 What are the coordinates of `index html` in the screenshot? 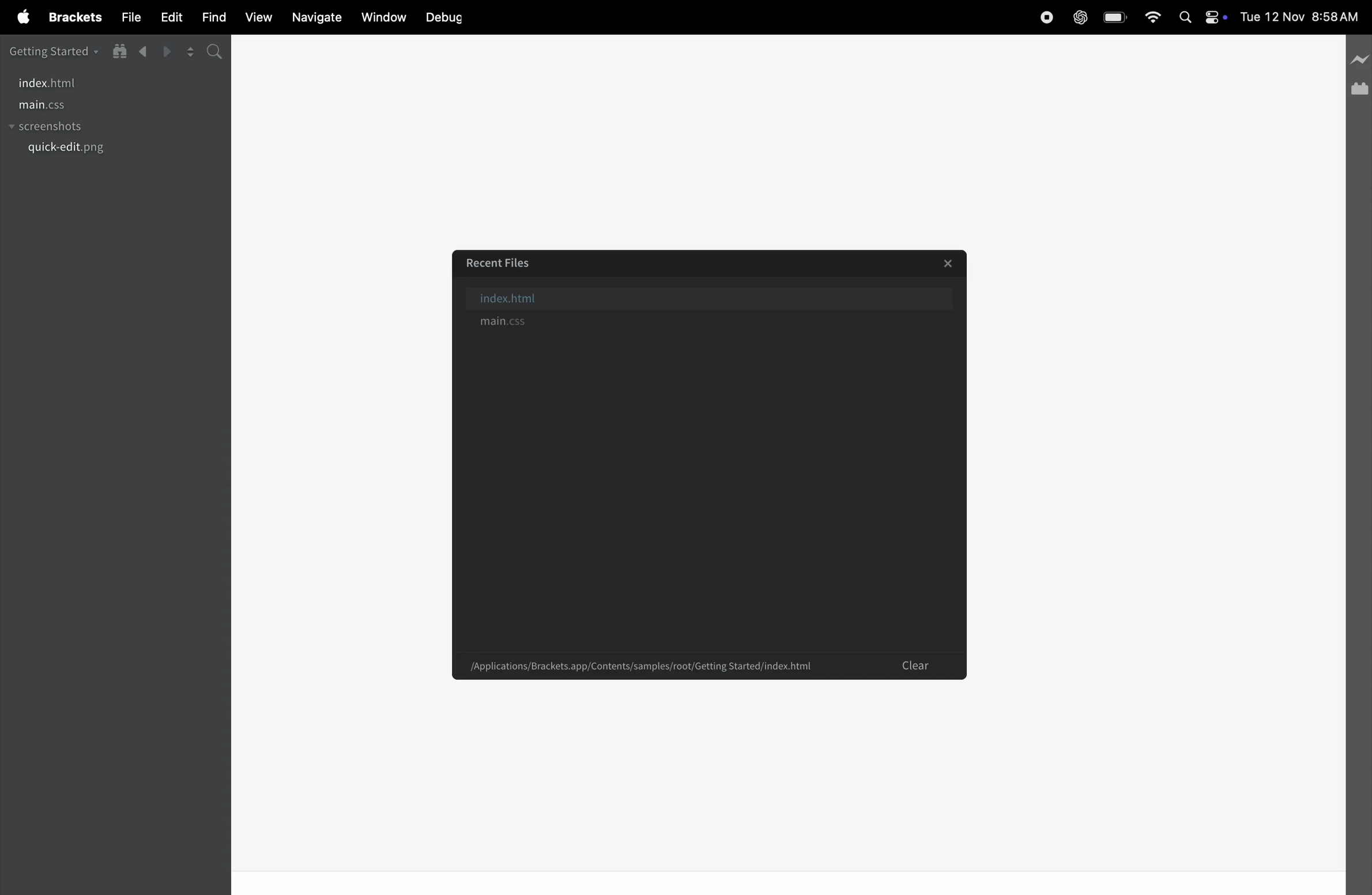 It's located at (718, 296).